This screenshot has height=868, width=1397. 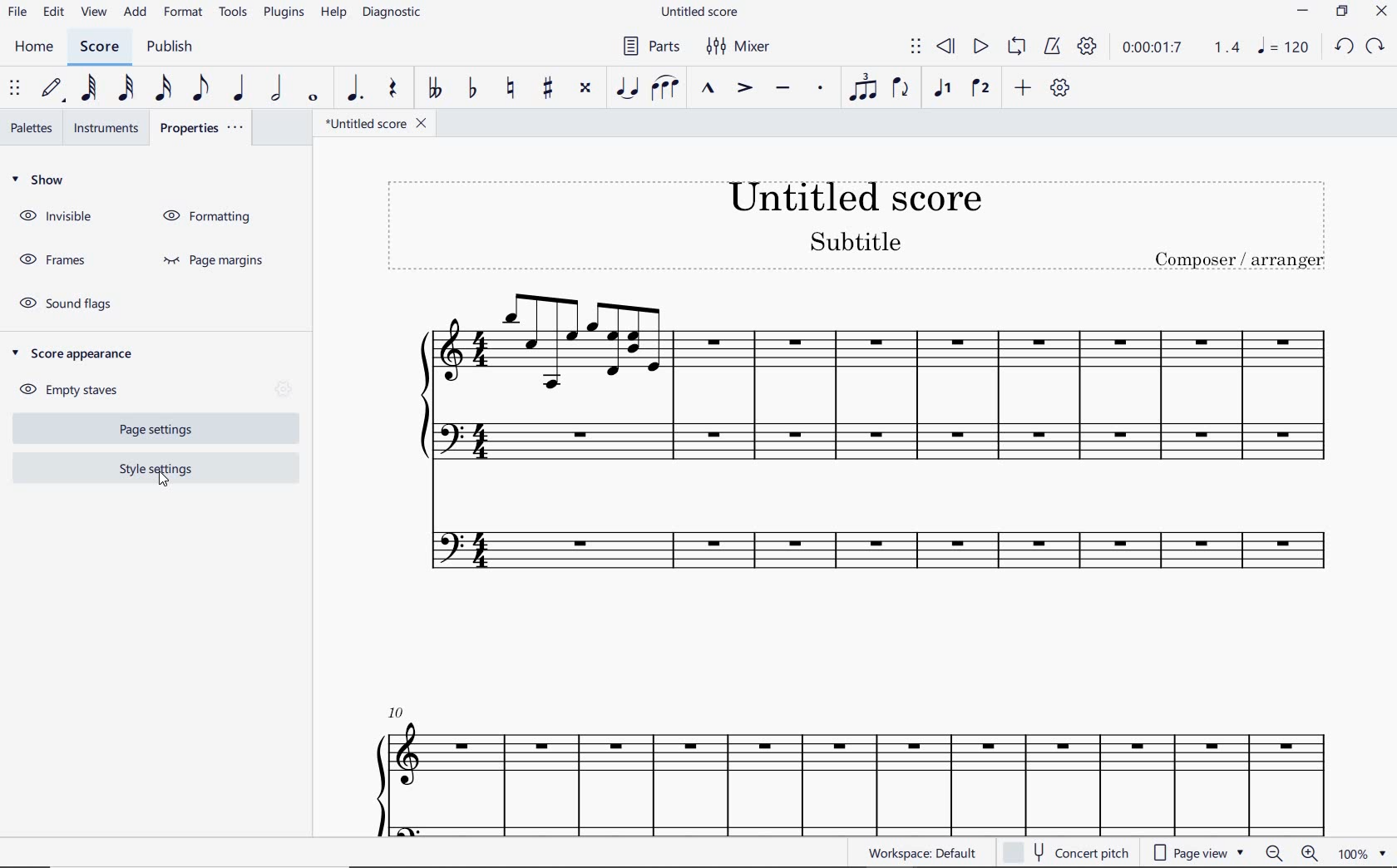 I want to click on 16TH NOTE, so click(x=163, y=89).